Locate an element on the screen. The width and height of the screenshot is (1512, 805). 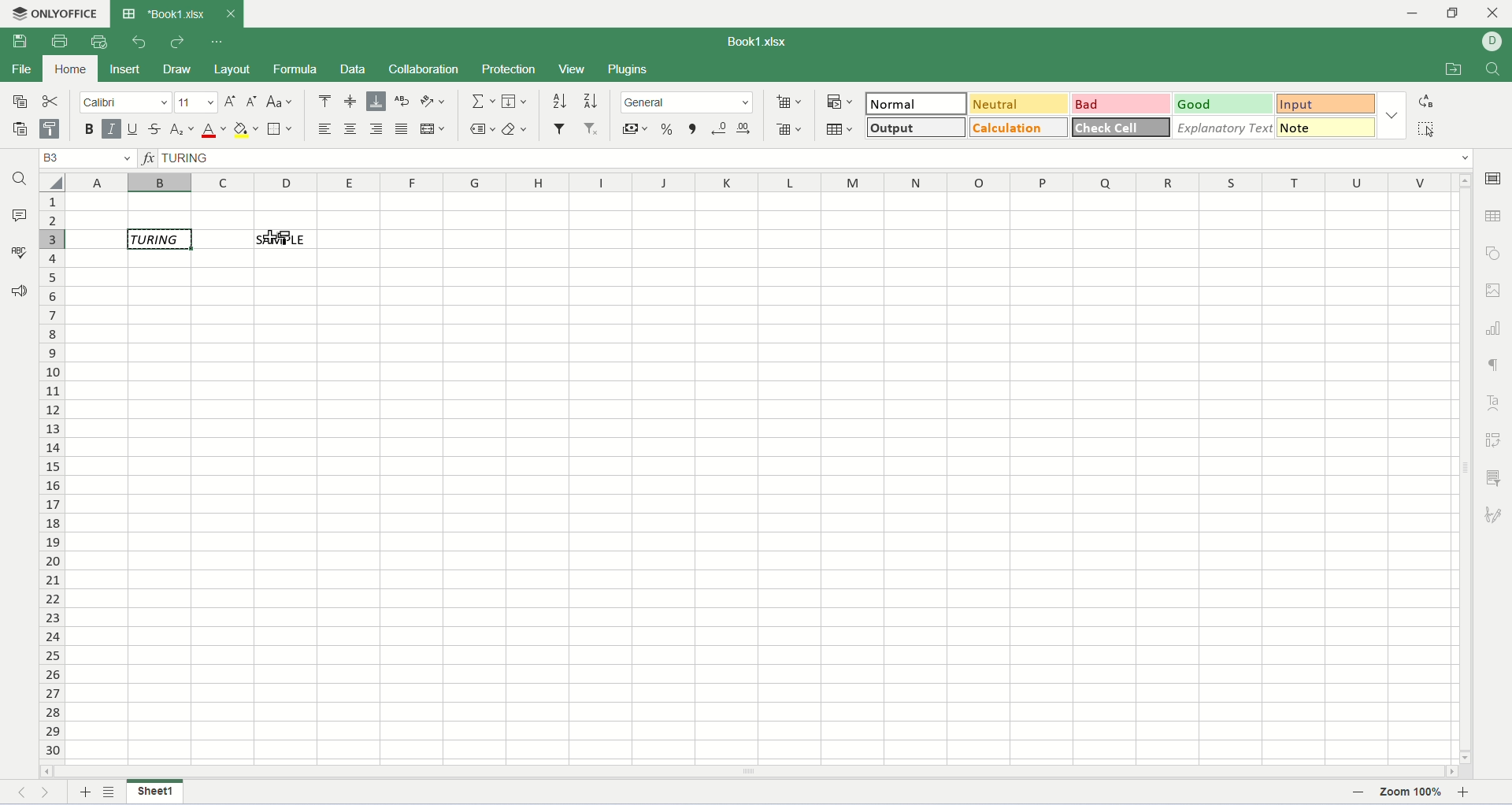
fill is located at coordinates (515, 101).